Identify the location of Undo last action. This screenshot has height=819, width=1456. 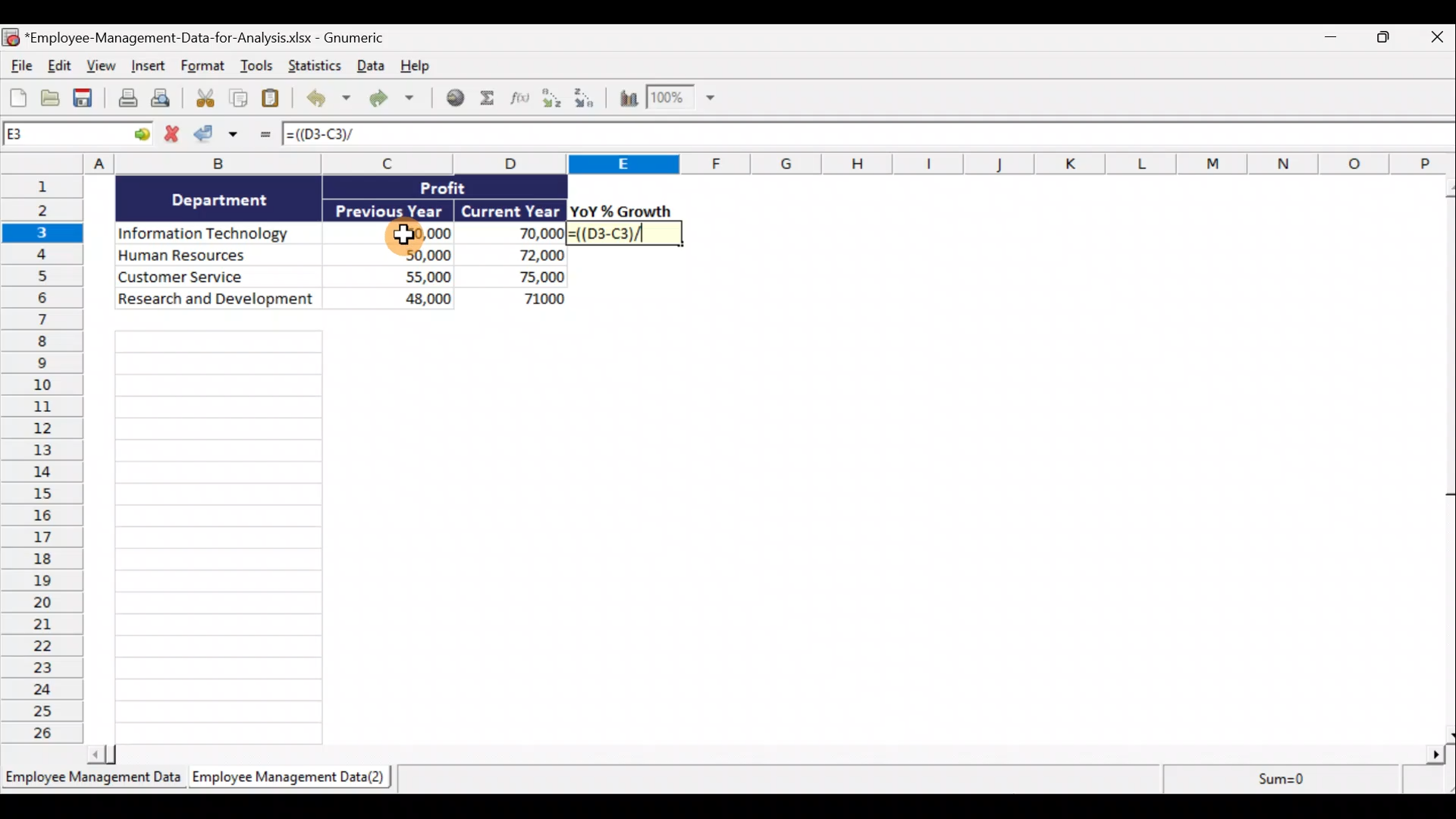
(325, 99).